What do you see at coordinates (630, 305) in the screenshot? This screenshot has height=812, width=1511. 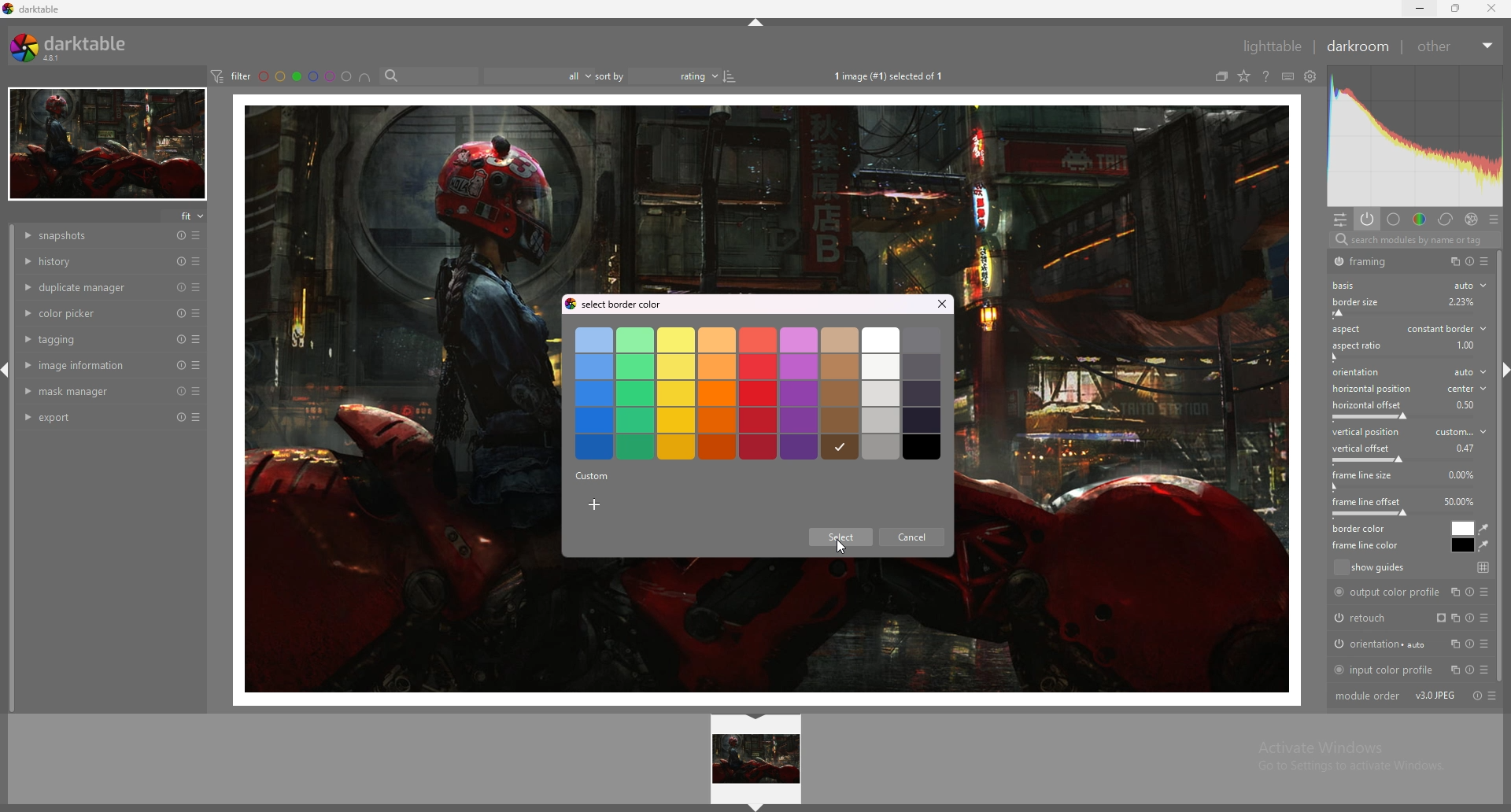 I see `select border color` at bounding box center [630, 305].